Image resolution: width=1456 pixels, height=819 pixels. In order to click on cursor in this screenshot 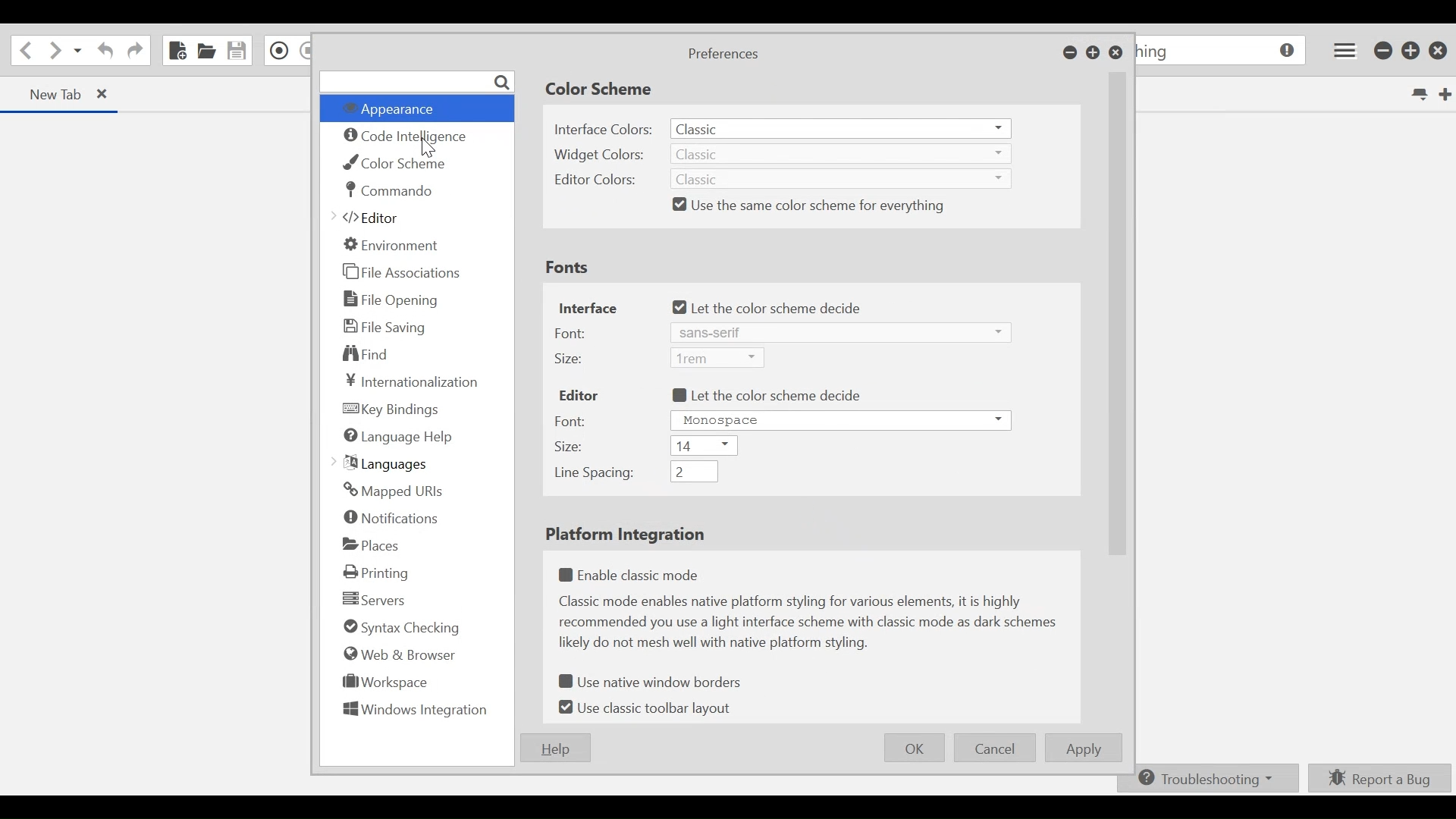, I will do `click(431, 150)`.